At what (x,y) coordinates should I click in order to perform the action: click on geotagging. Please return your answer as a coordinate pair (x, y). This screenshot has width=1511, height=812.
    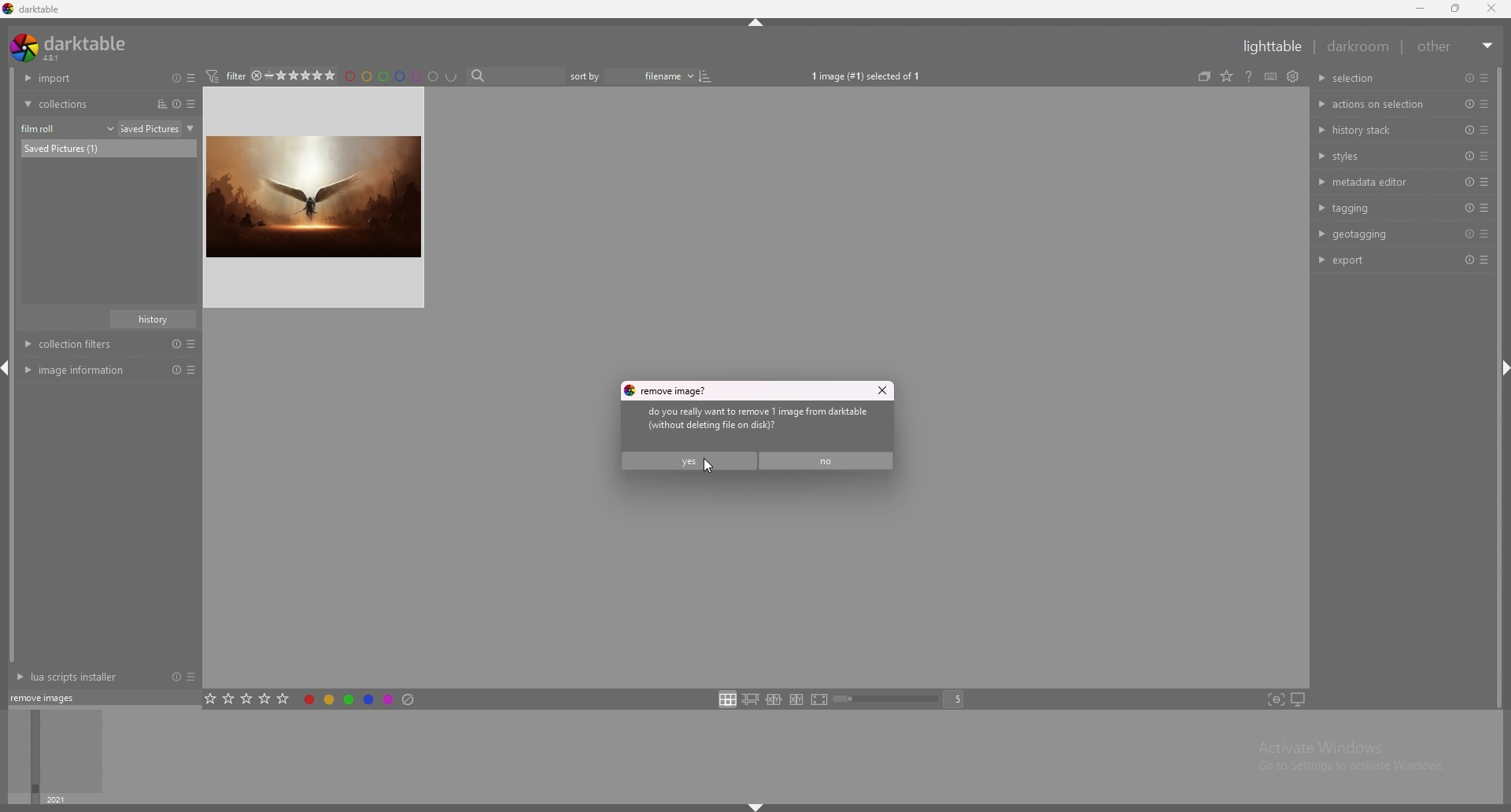
    Looking at the image, I should click on (1376, 234).